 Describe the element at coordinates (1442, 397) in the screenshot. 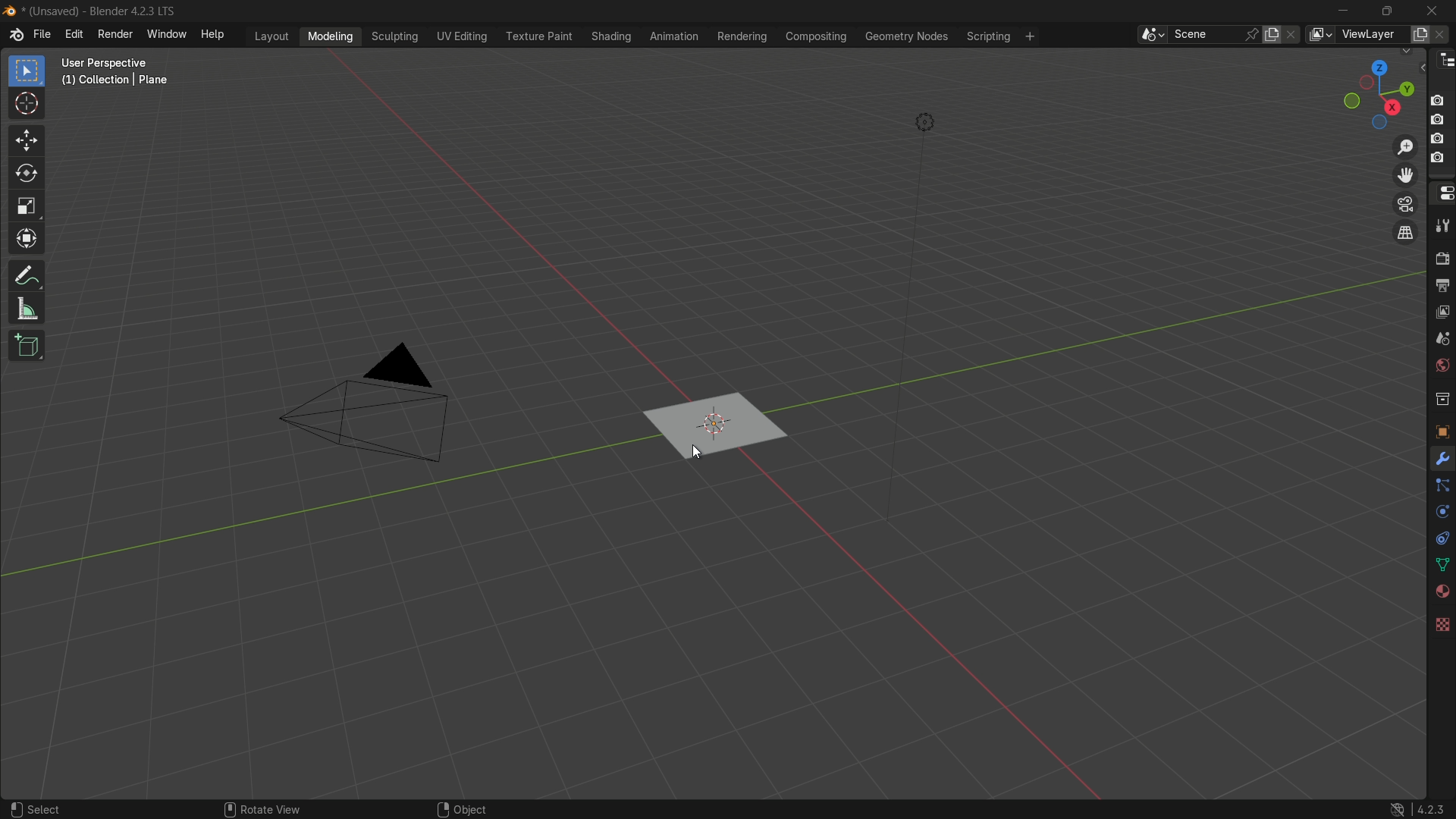

I see `collections` at that location.